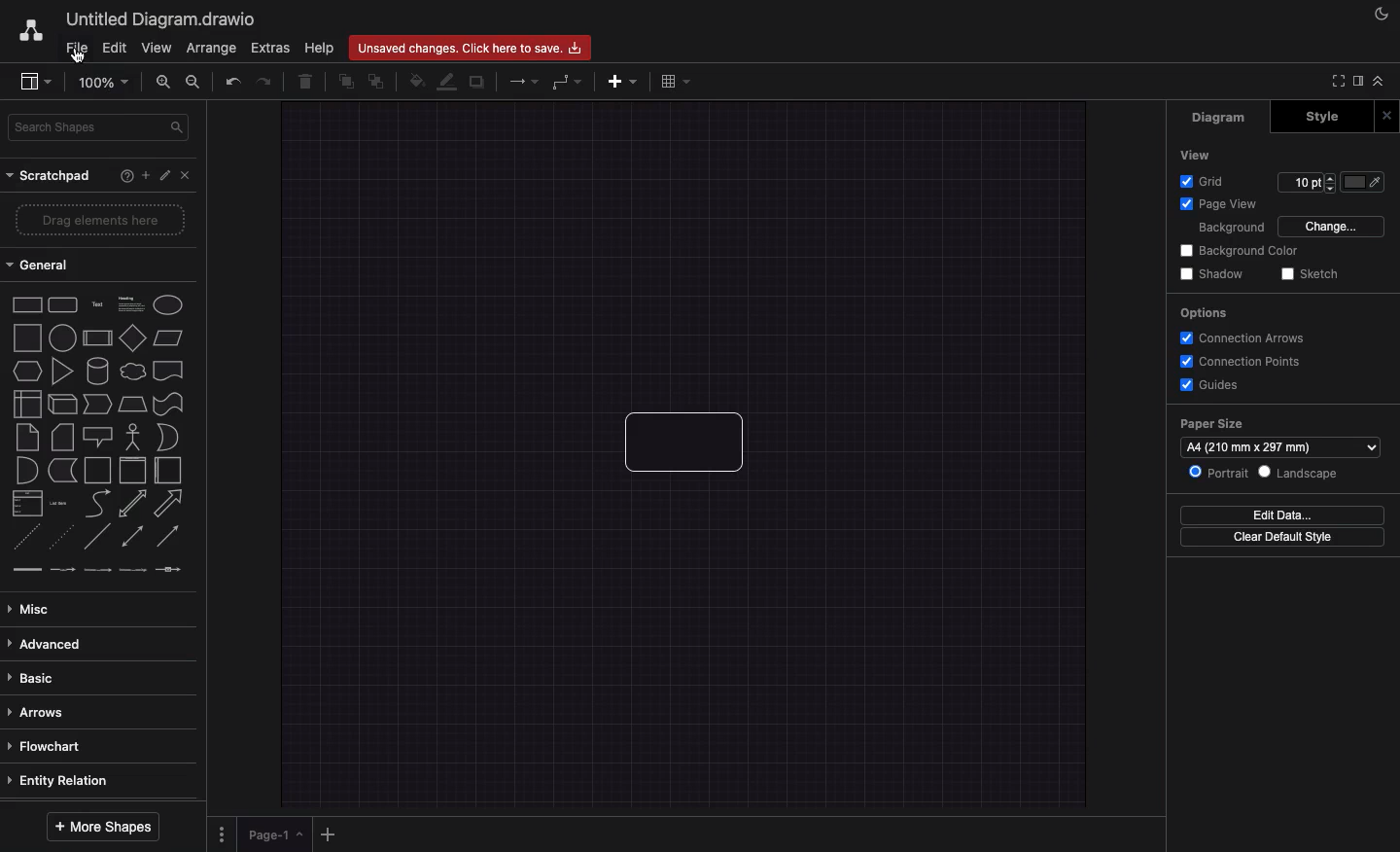 This screenshot has height=852, width=1400. Describe the element at coordinates (321, 49) in the screenshot. I see `Help` at that location.